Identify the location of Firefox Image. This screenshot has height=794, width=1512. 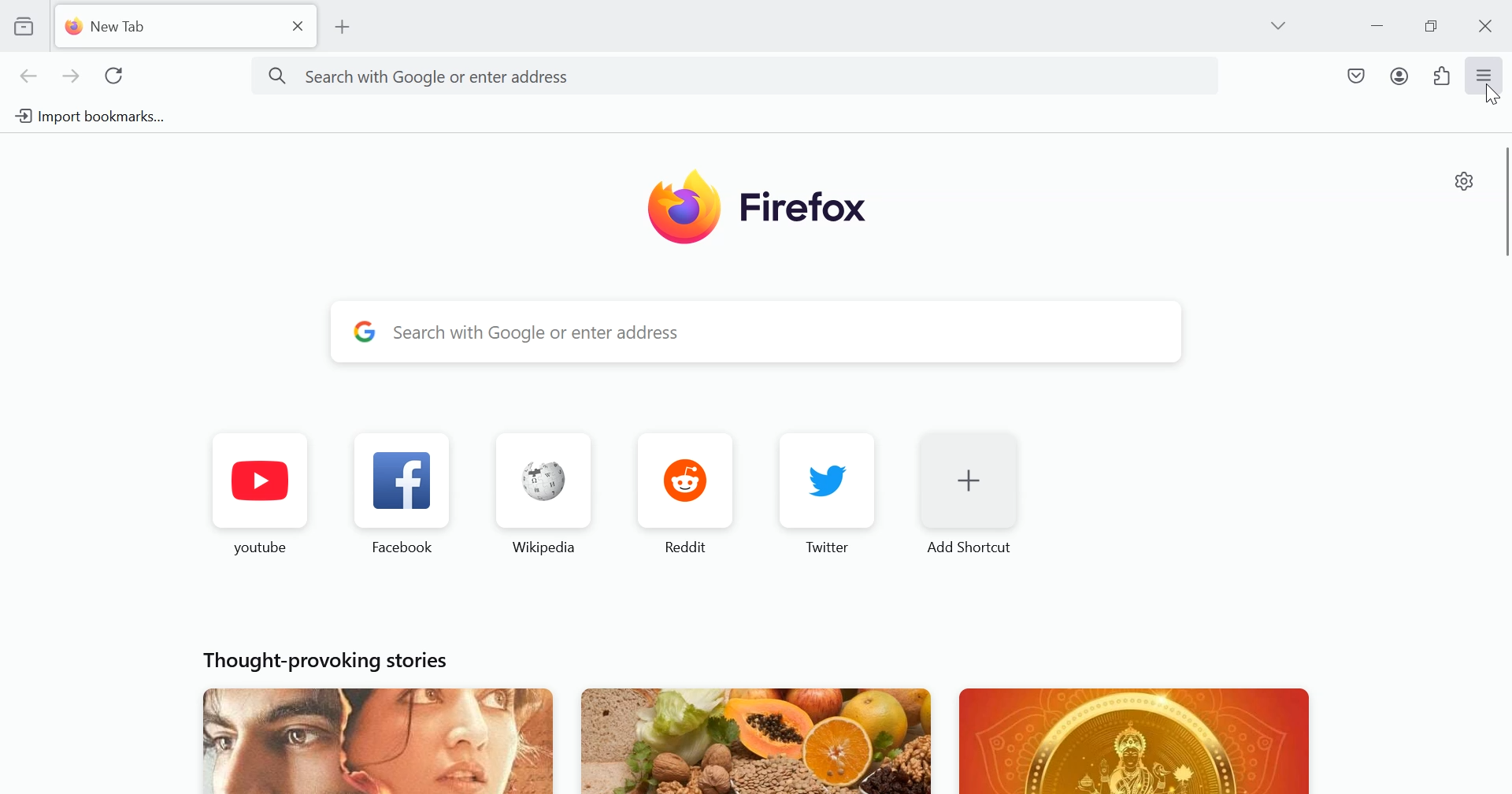
(760, 211).